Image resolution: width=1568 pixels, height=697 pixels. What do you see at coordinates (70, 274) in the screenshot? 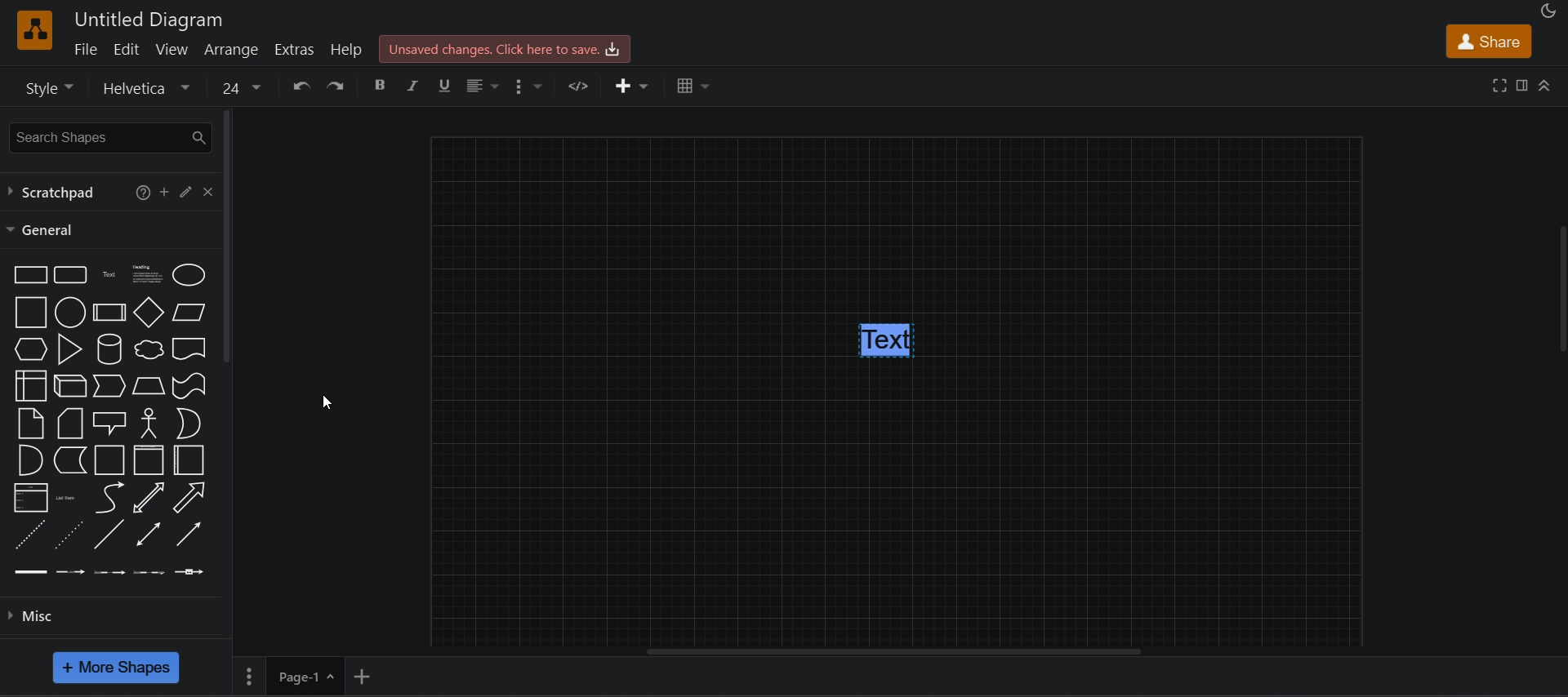
I see `Rounded rectangle` at bounding box center [70, 274].